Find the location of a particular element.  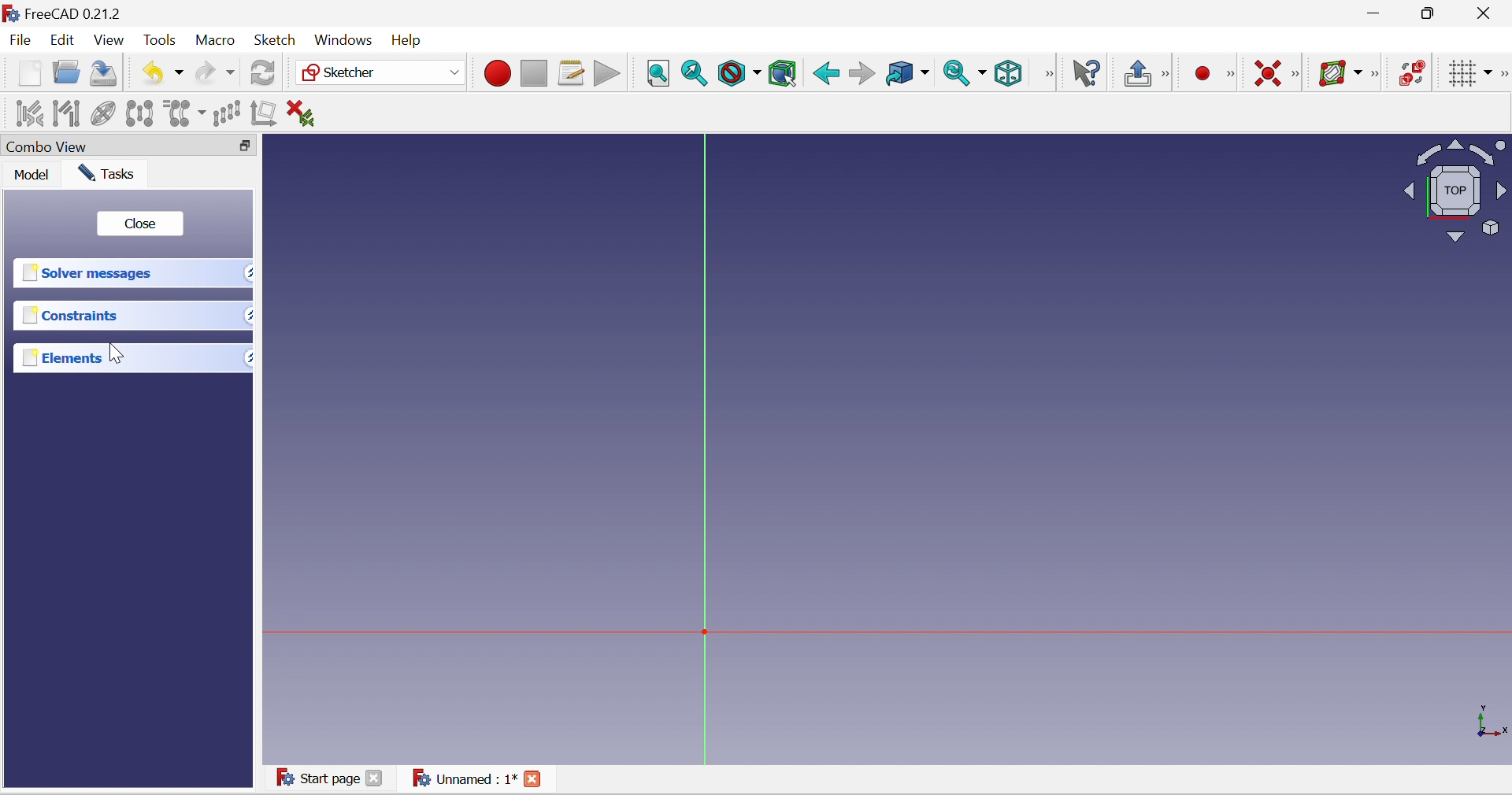

View is located at coordinates (109, 39).